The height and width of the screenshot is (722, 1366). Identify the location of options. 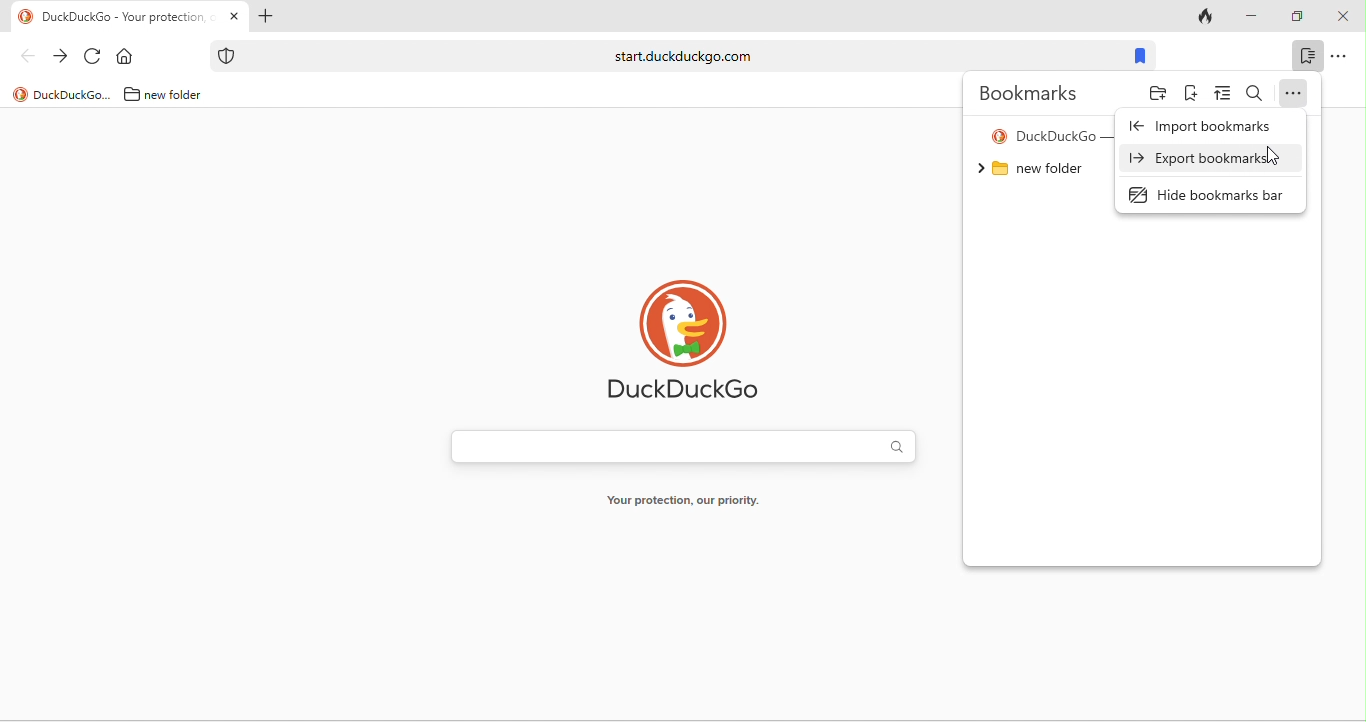
(1339, 56).